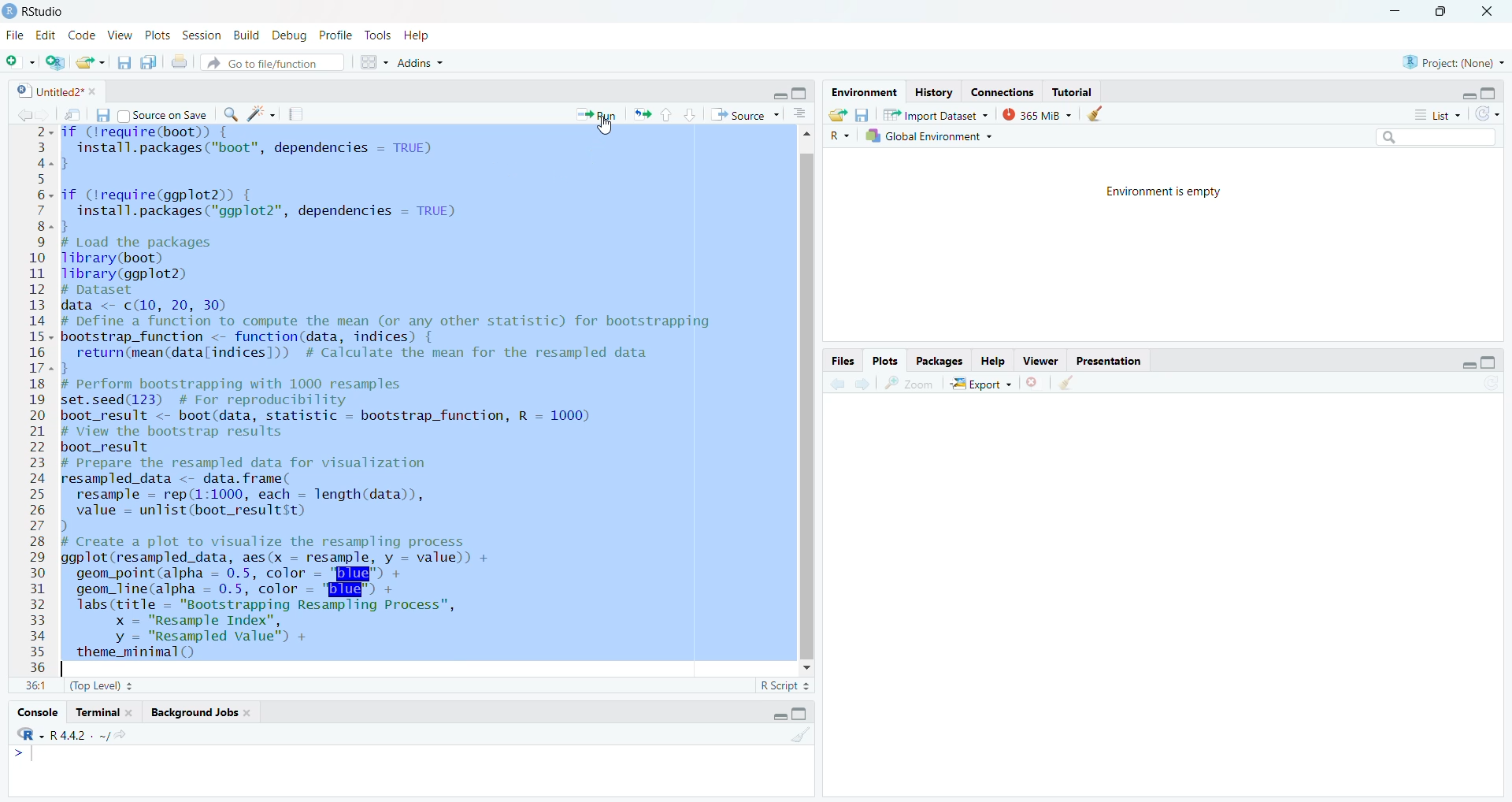  Describe the element at coordinates (98, 734) in the screenshot. I see `r4.42/` at that location.